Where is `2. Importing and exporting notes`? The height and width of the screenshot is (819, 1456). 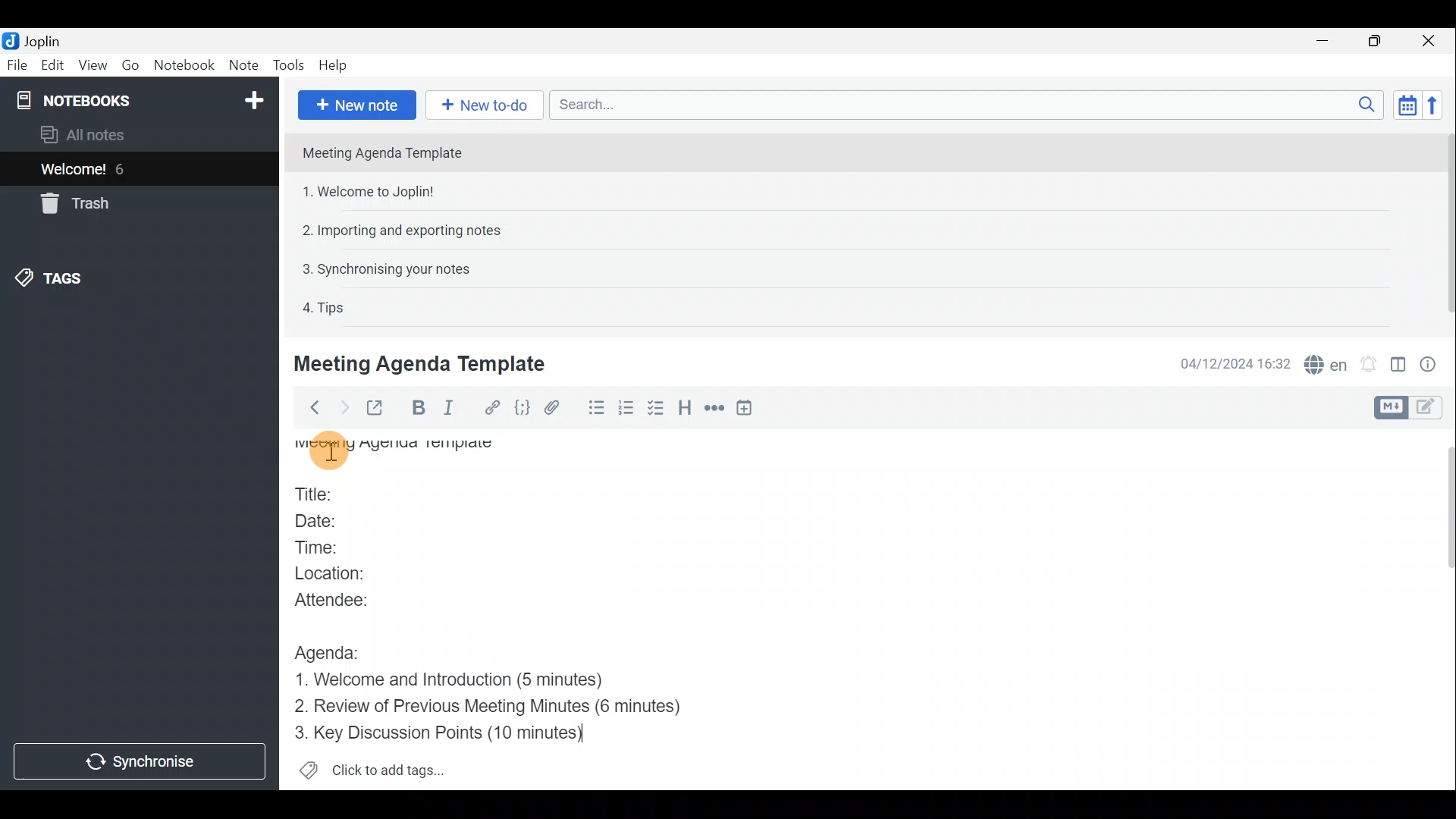 2. Importing and exporting notes is located at coordinates (407, 231).